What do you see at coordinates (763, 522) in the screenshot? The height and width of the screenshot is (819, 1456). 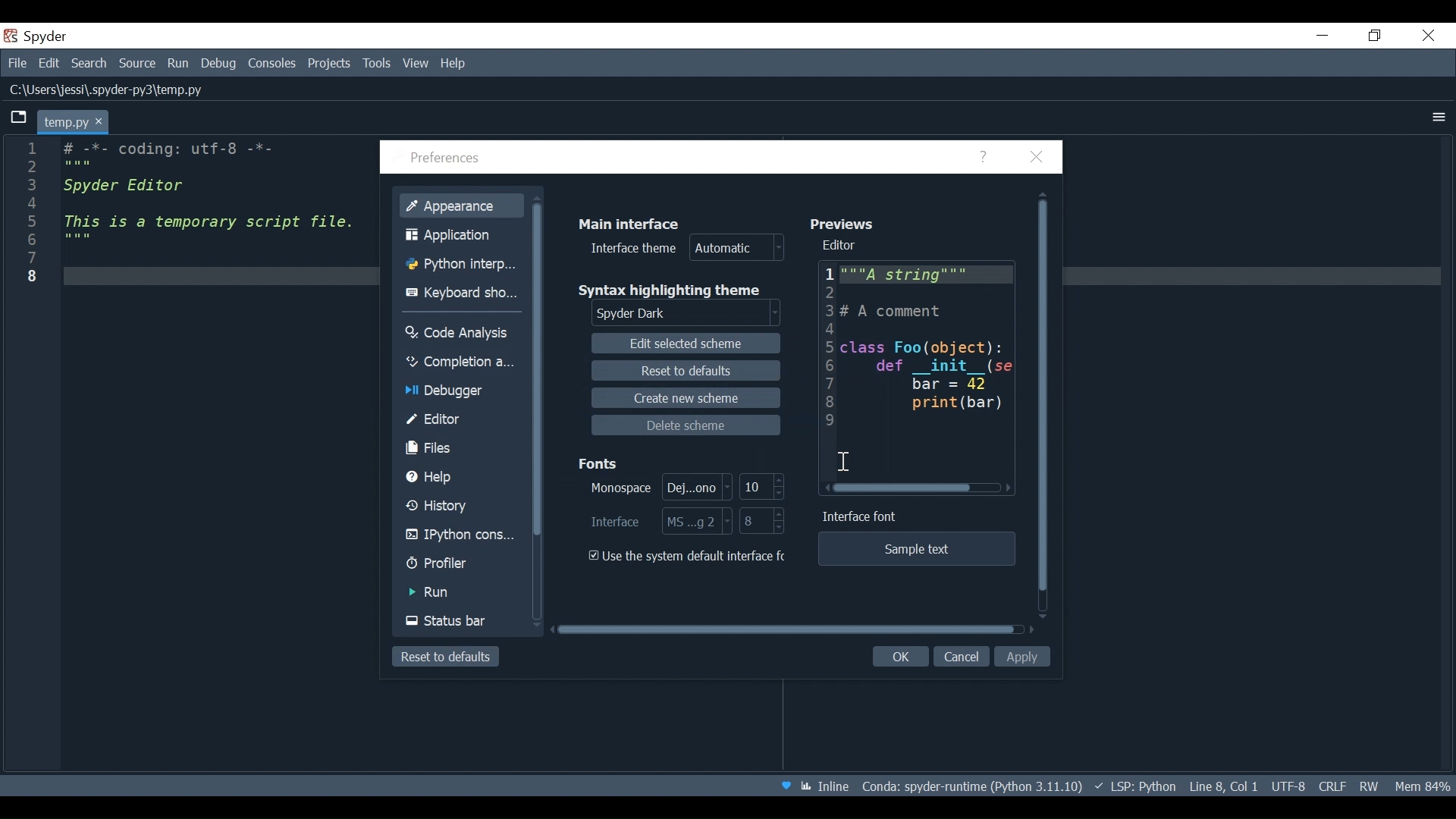 I see `Interface Font Size` at bounding box center [763, 522].